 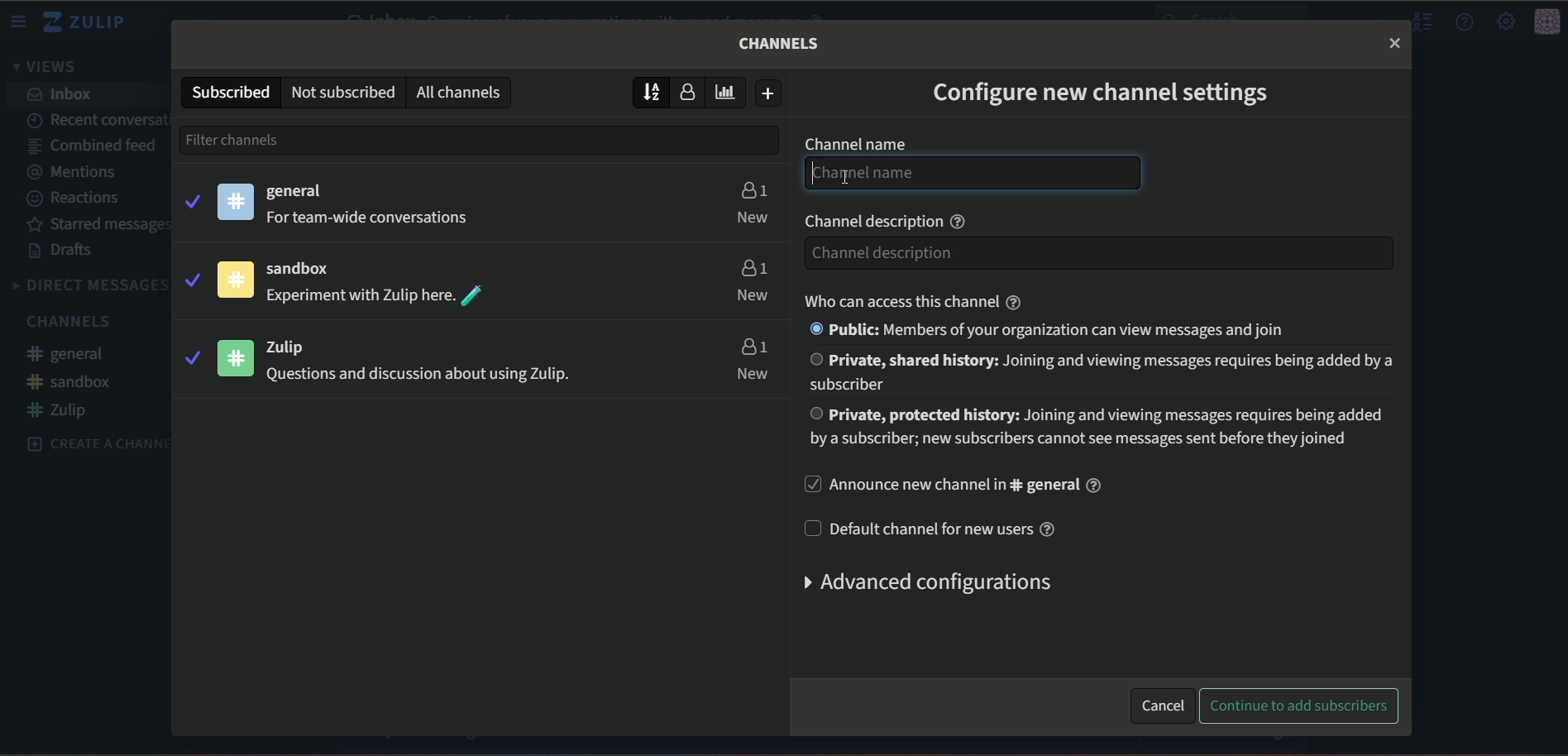 I want to click on question and discussion about using zulip, so click(x=415, y=377).